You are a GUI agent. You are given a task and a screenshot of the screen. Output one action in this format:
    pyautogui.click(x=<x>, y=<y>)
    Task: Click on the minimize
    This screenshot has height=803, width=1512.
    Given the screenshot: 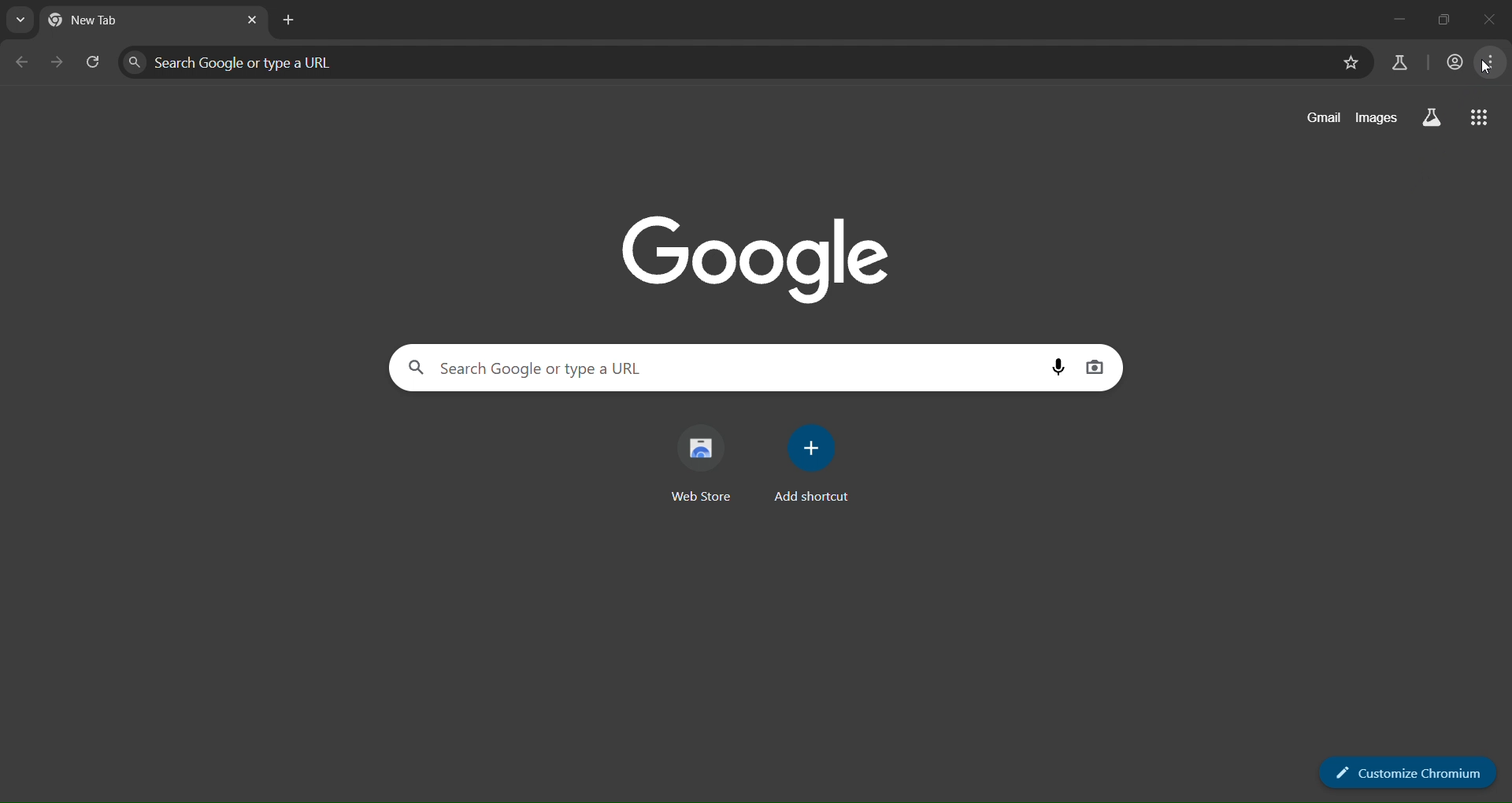 What is the action you would take?
    pyautogui.click(x=1387, y=17)
    